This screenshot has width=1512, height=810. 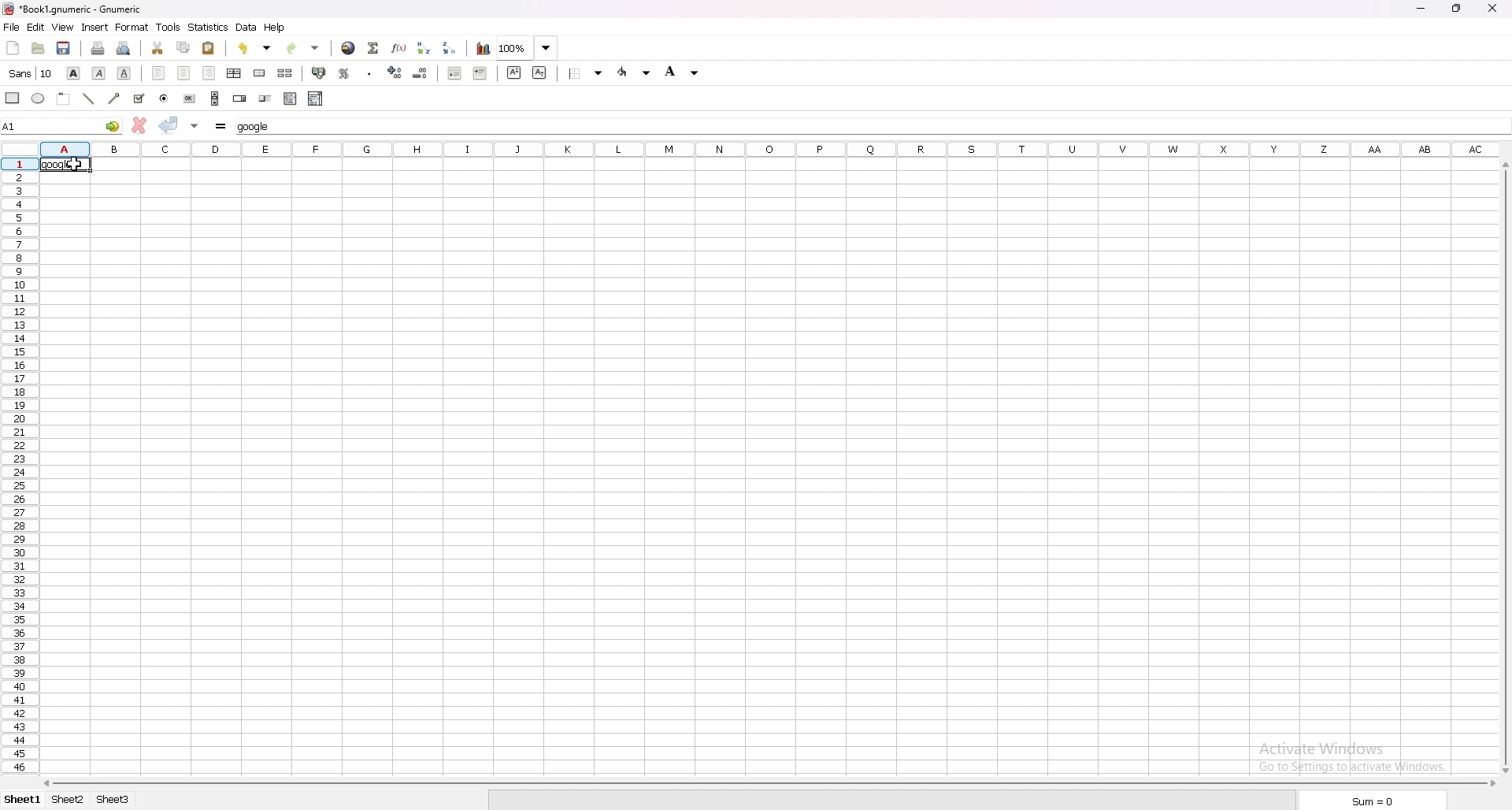 What do you see at coordinates (290, 98) in the screenshot?
I see `list` at bounding box center [290, 98].